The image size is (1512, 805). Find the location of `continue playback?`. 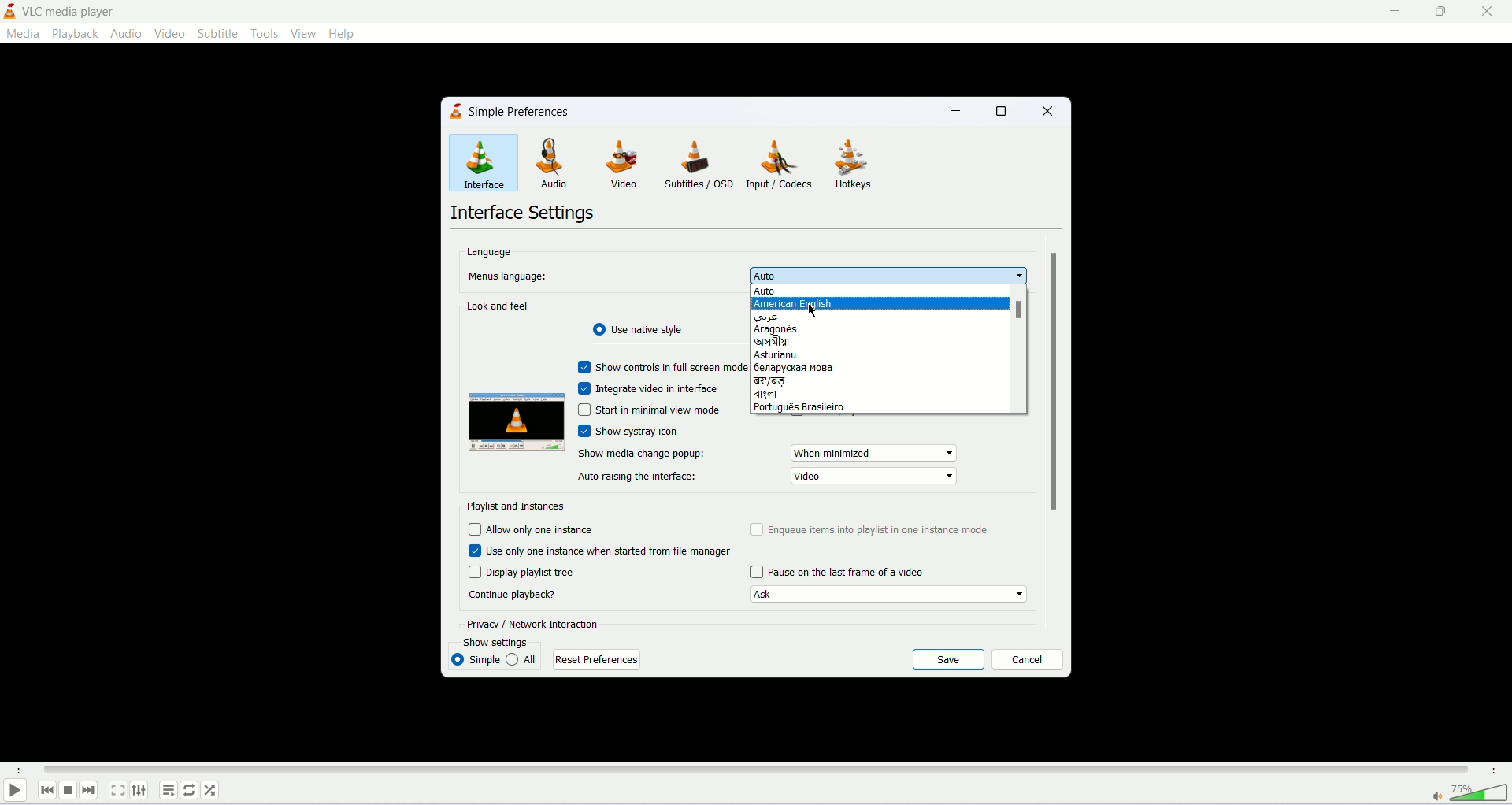

continue playback? is located at coordinates (512, 594).